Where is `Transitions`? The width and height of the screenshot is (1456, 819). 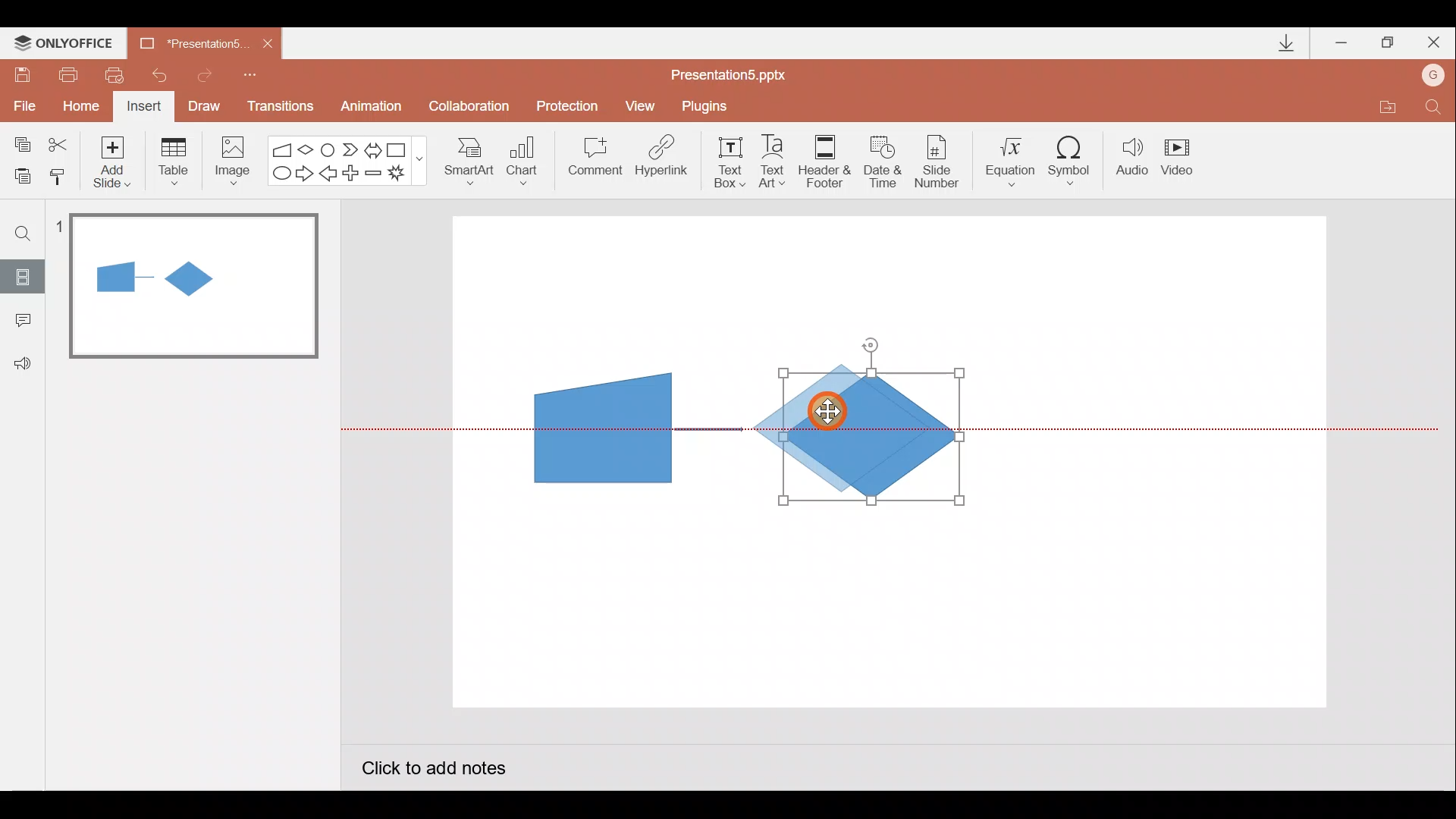 Transitions is located at coordinates (278, 108).